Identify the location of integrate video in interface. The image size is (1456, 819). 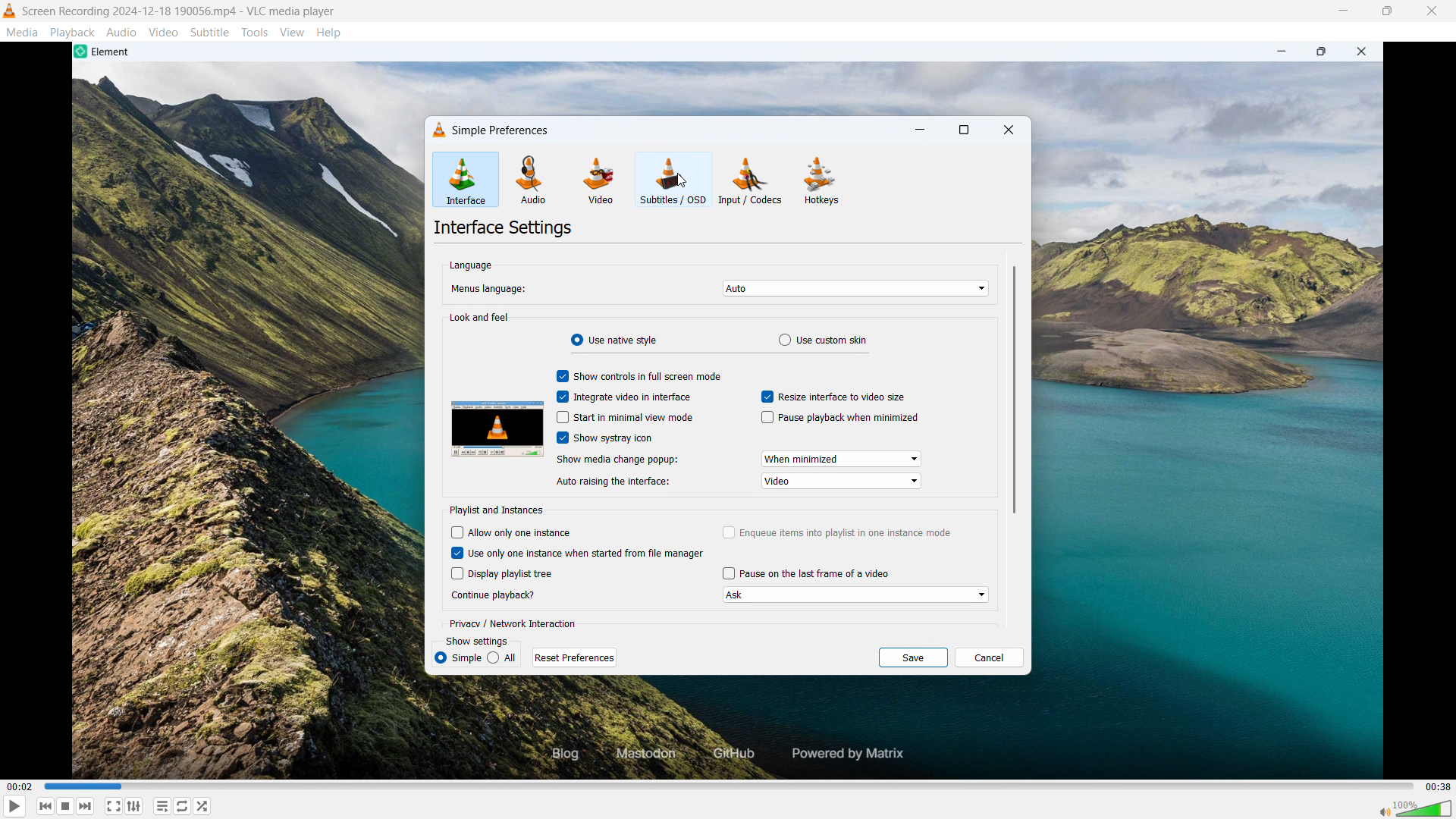
(623, 397).